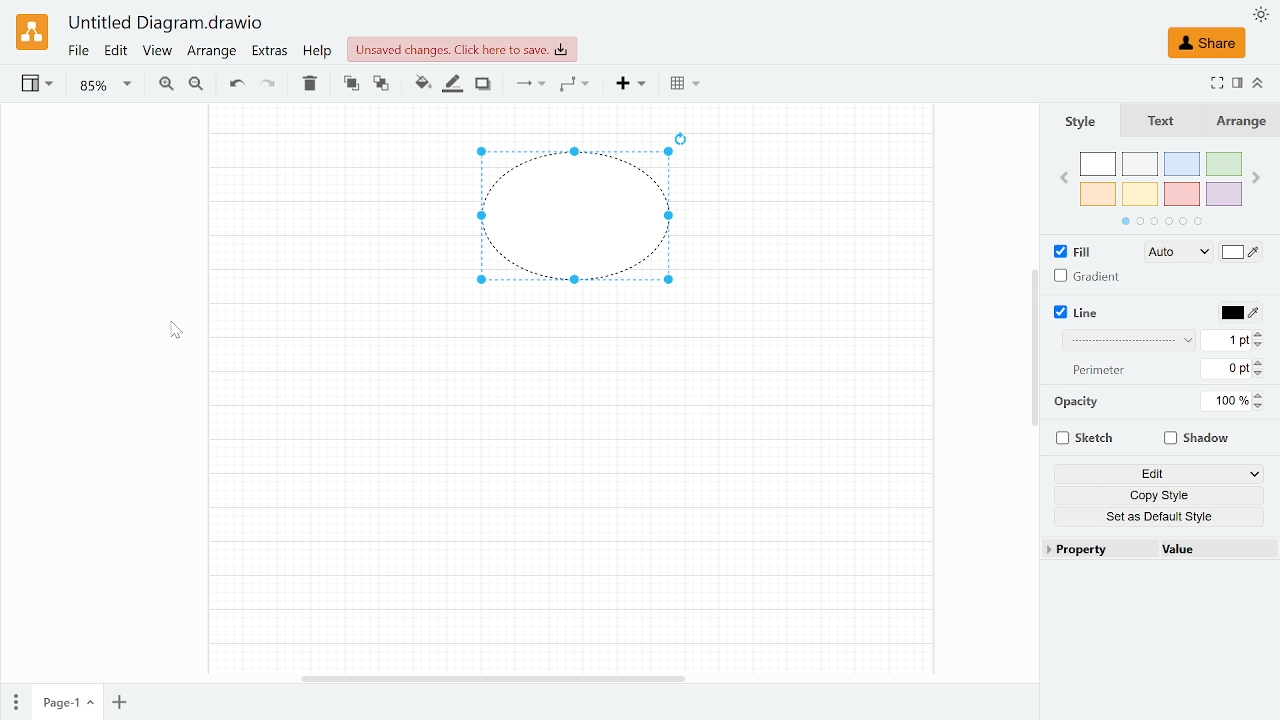  I want to click on Full screen, so click(1216, 83).